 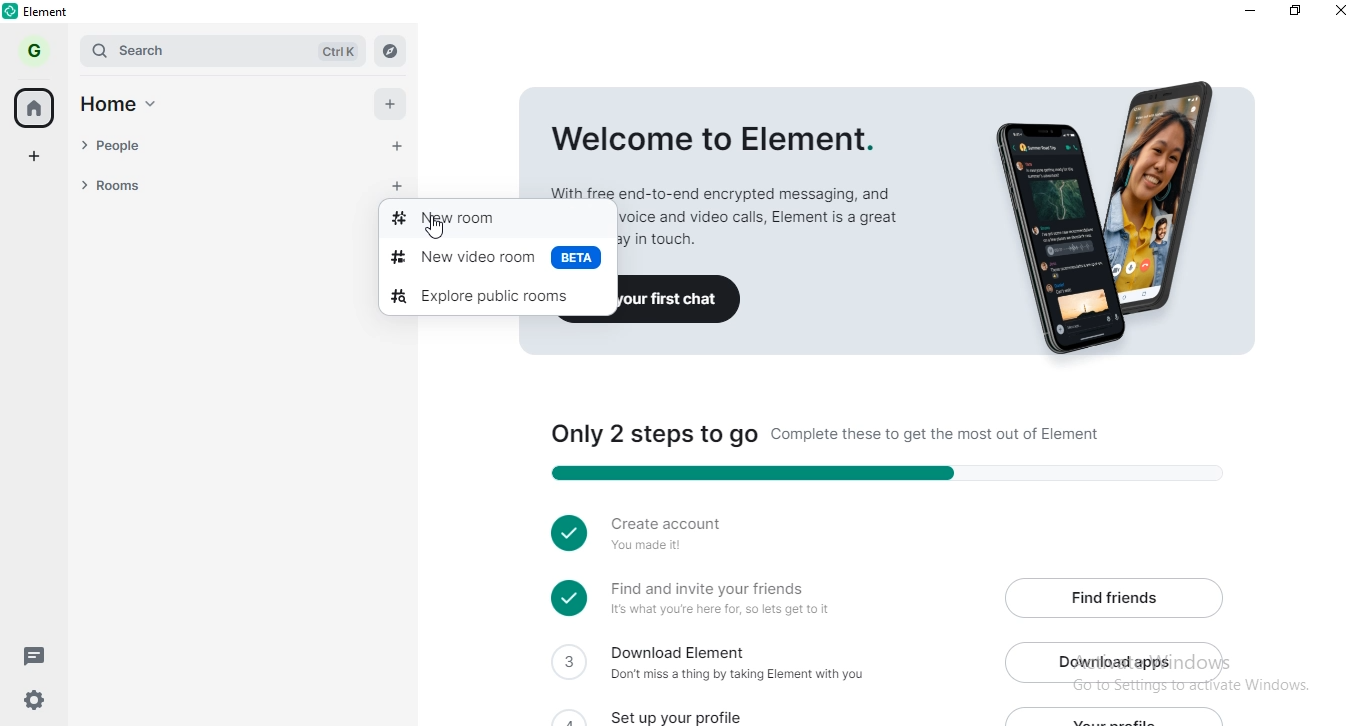 I want to click on minimise, so click(x=1243, y=11).